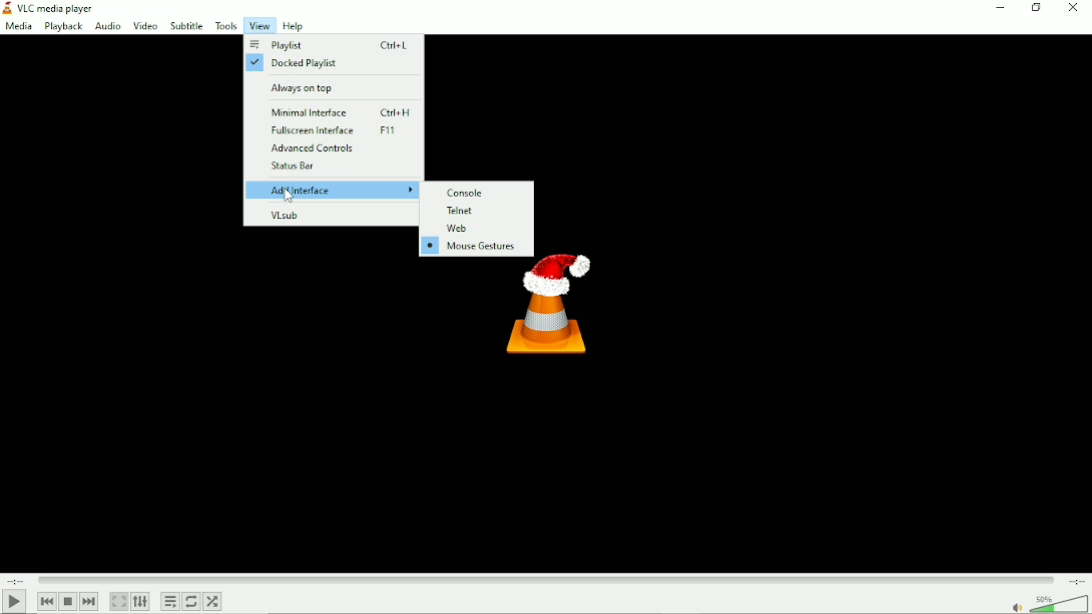  Describe the element at coordinates (478, 191) in the screenshot. I see `Console` at that location.